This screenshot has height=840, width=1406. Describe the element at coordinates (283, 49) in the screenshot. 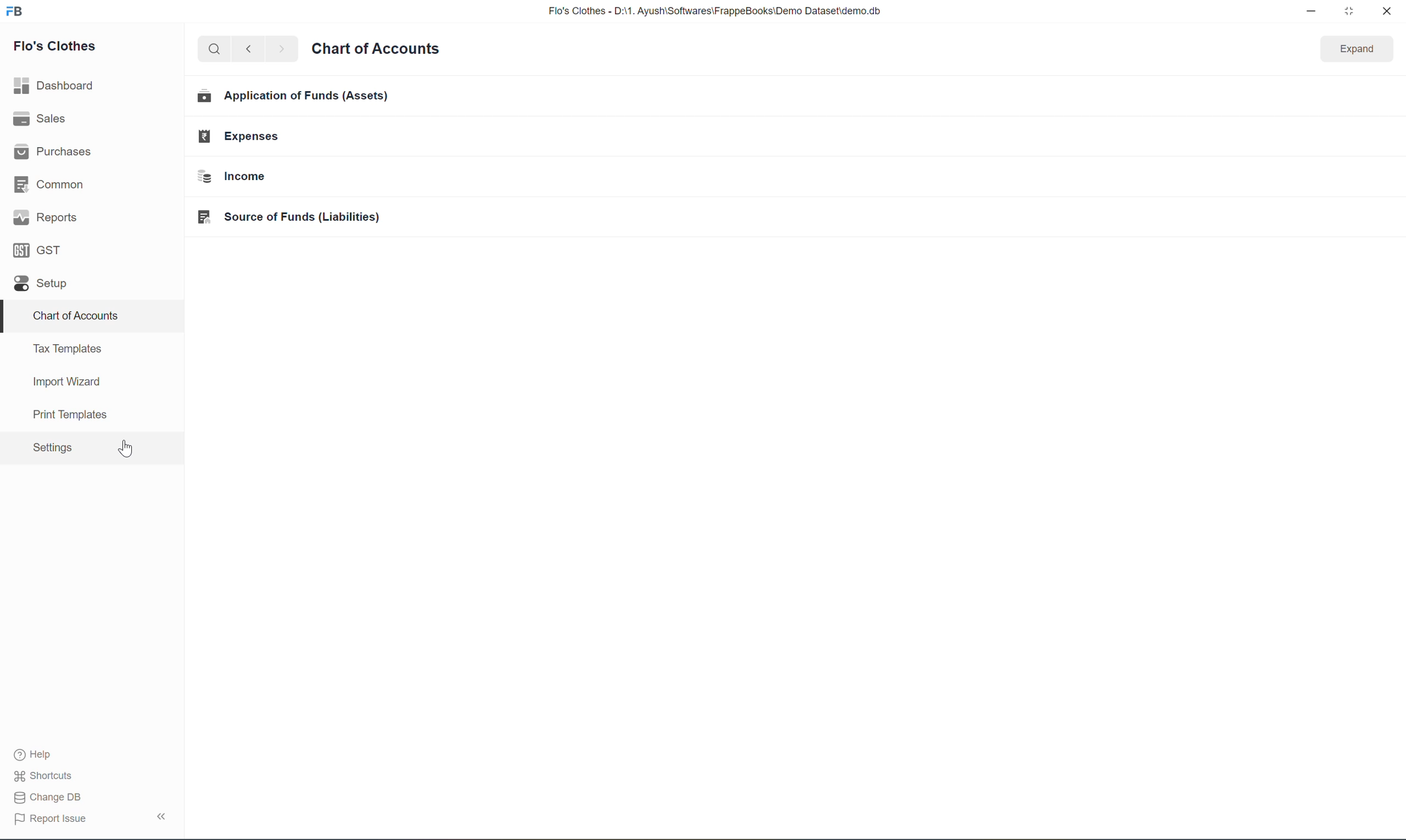

I see `forward` at that location.